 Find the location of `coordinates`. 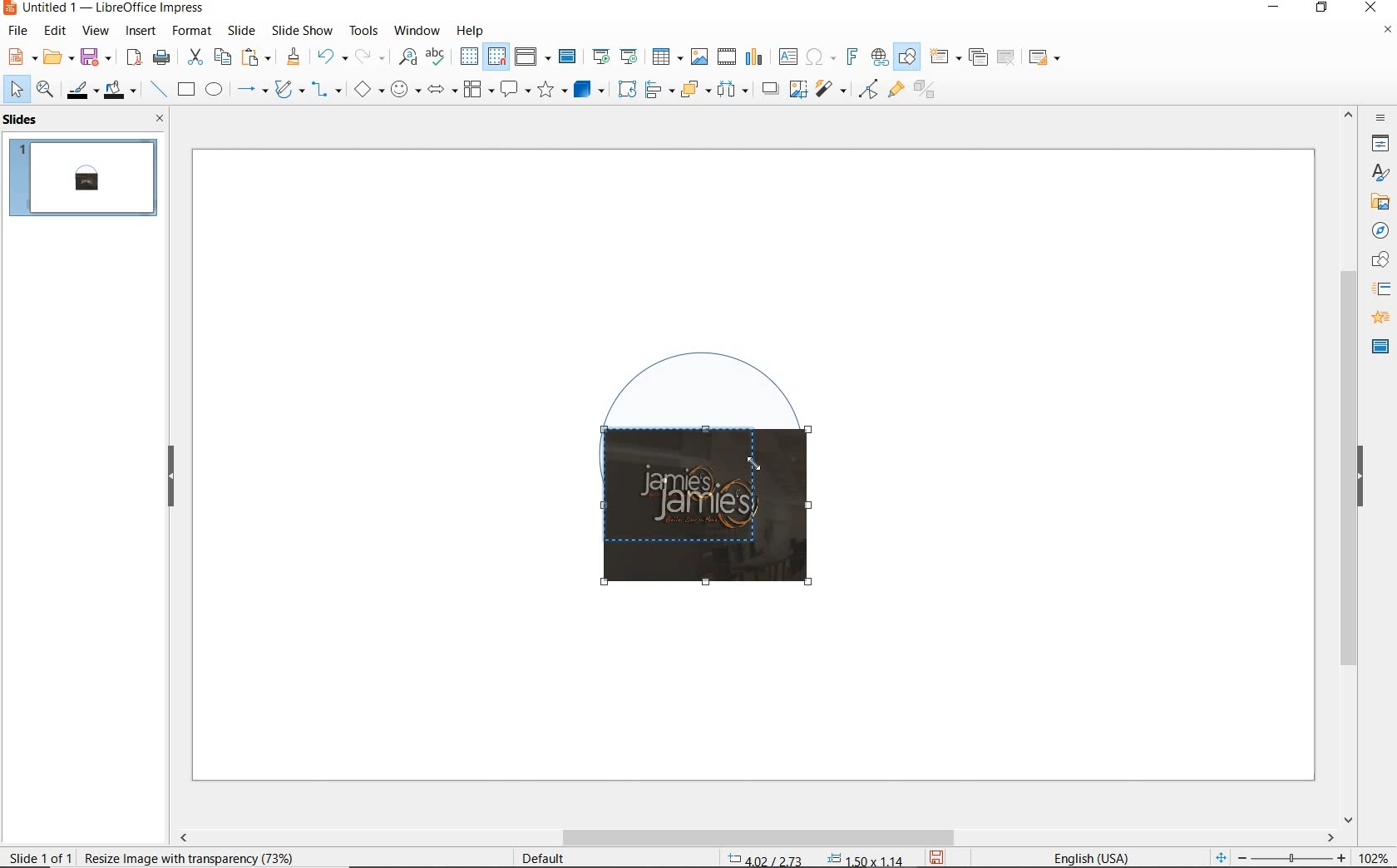

coordinates is located at coordinates (813, 860).